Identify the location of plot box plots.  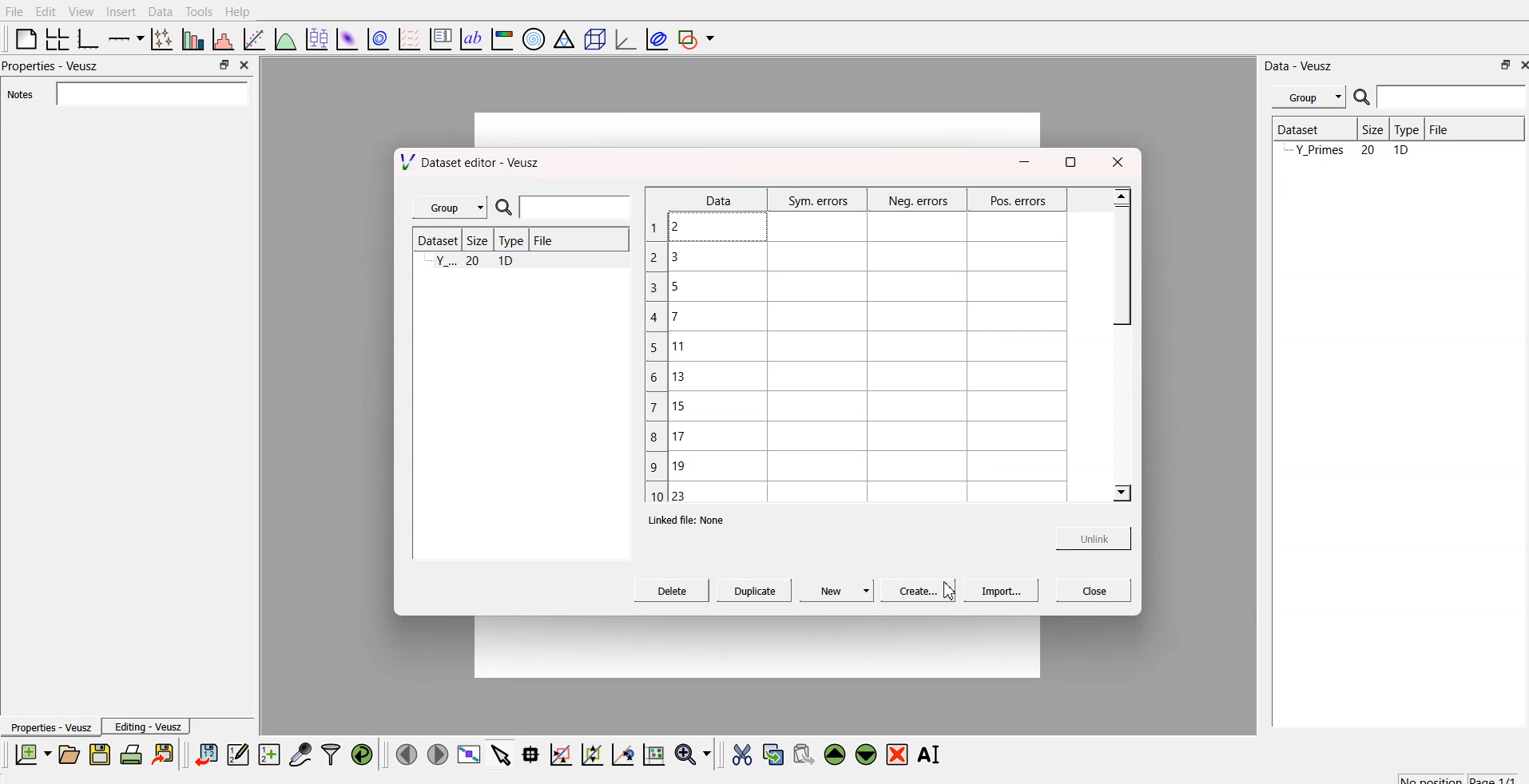
(315, 38).